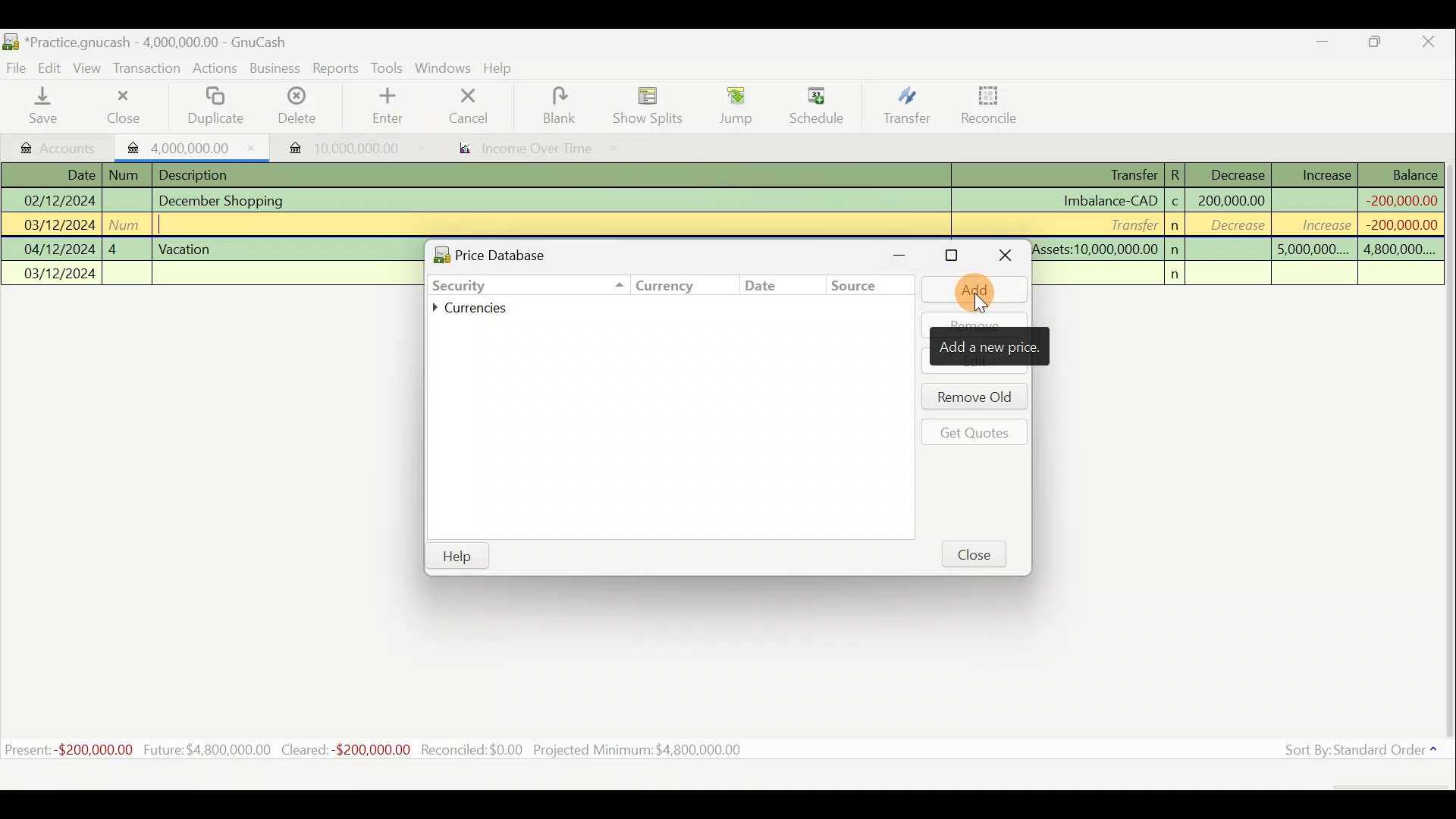  I want to click on n, so click(1180, 275).